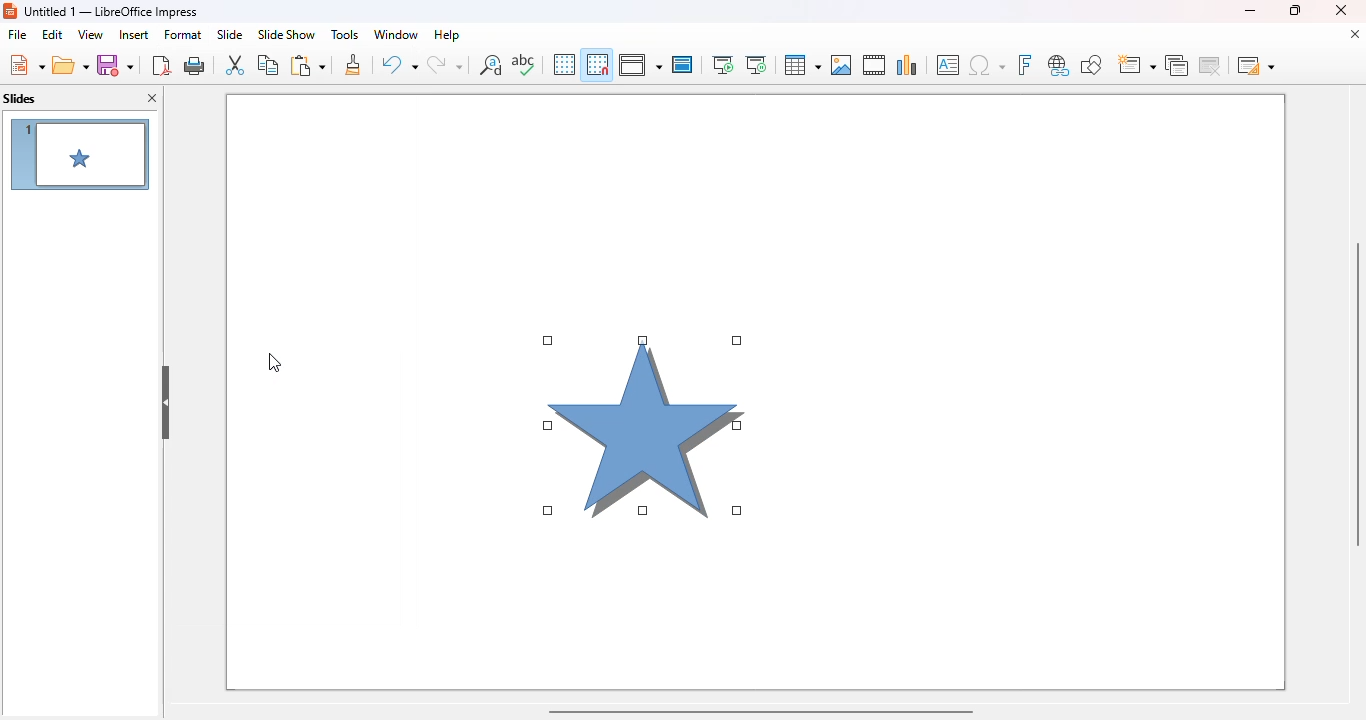  Describe the element at coordinates (229, 34) in the screenshot. I see `slide` at that location.